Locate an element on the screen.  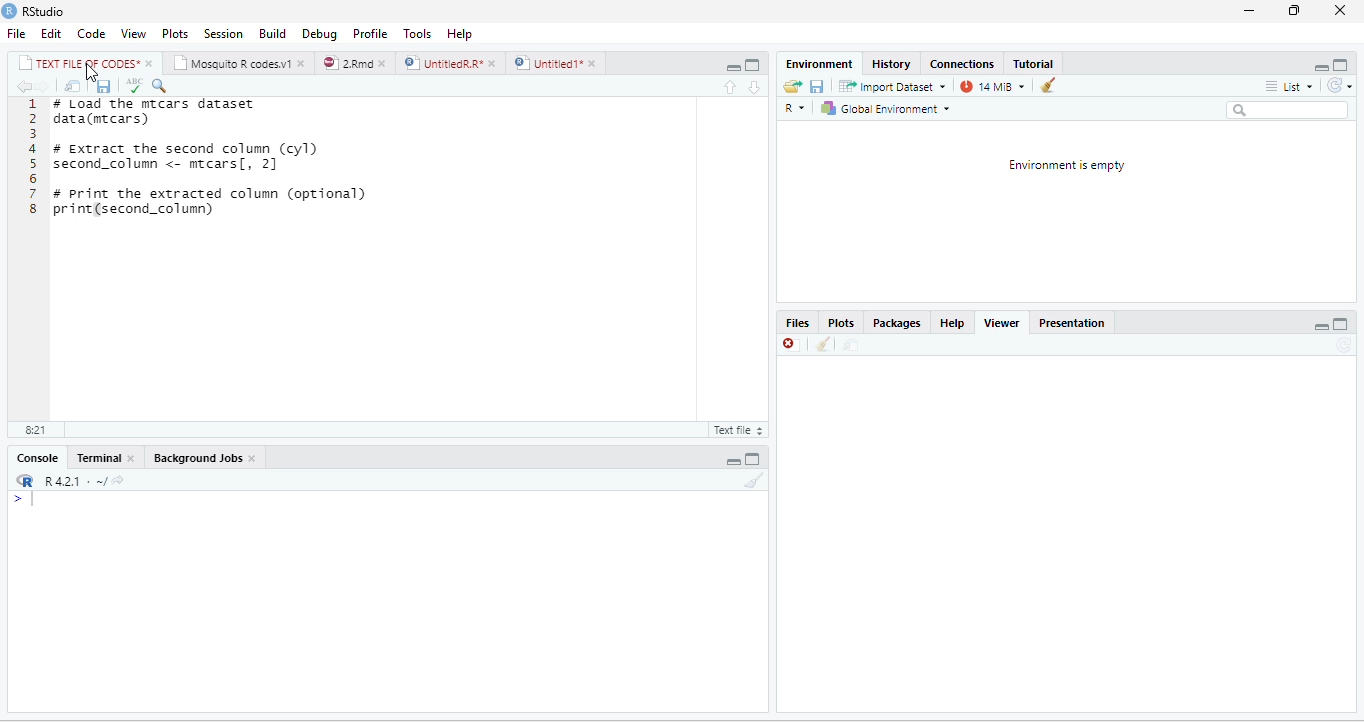
close is located at coordinates (1340, 10).